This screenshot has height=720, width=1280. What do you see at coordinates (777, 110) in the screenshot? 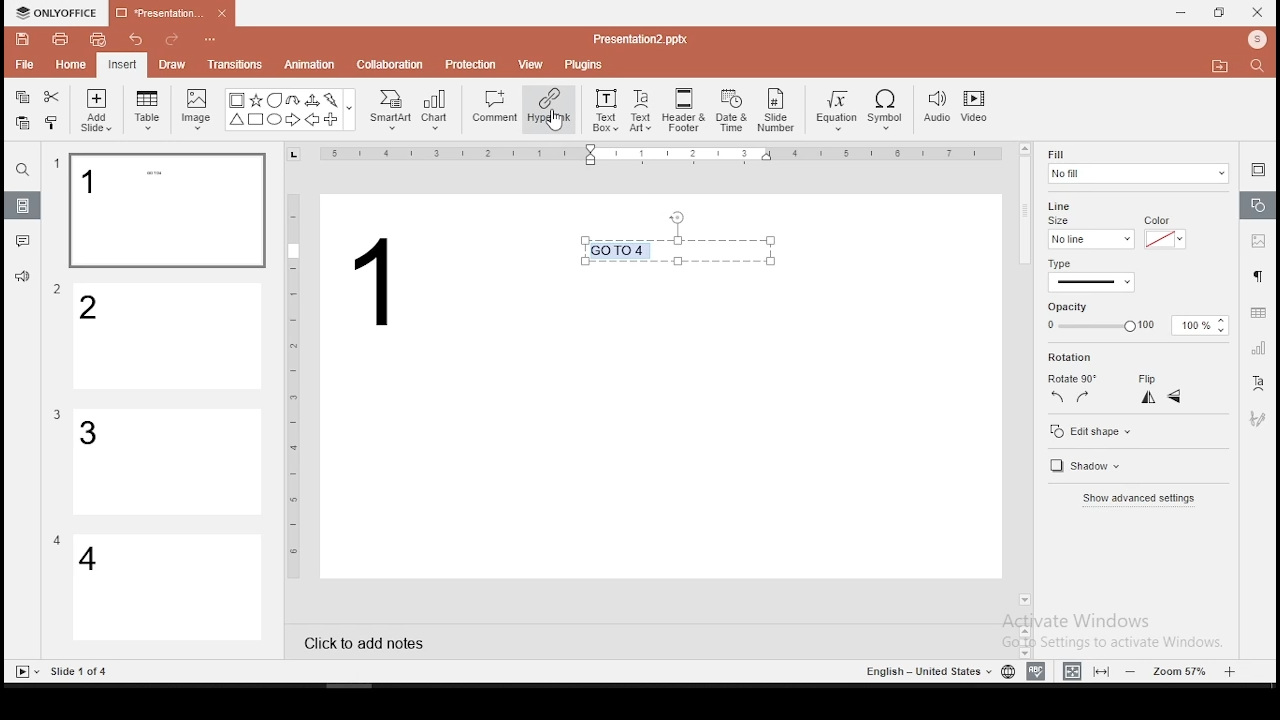
I see `slide number` at bounding box center [777, 110].